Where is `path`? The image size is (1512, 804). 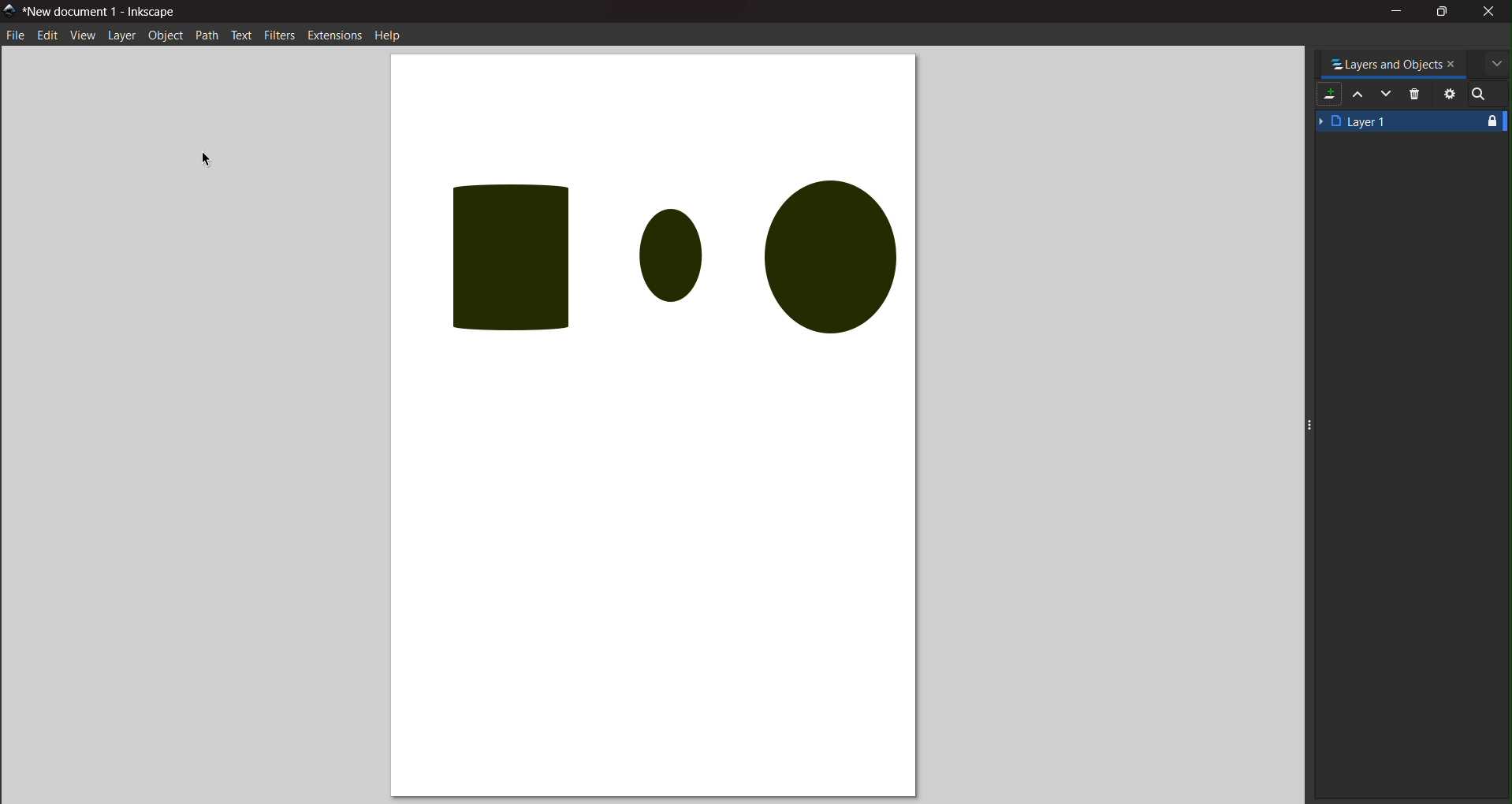
path is located at coordinates (207, 35).